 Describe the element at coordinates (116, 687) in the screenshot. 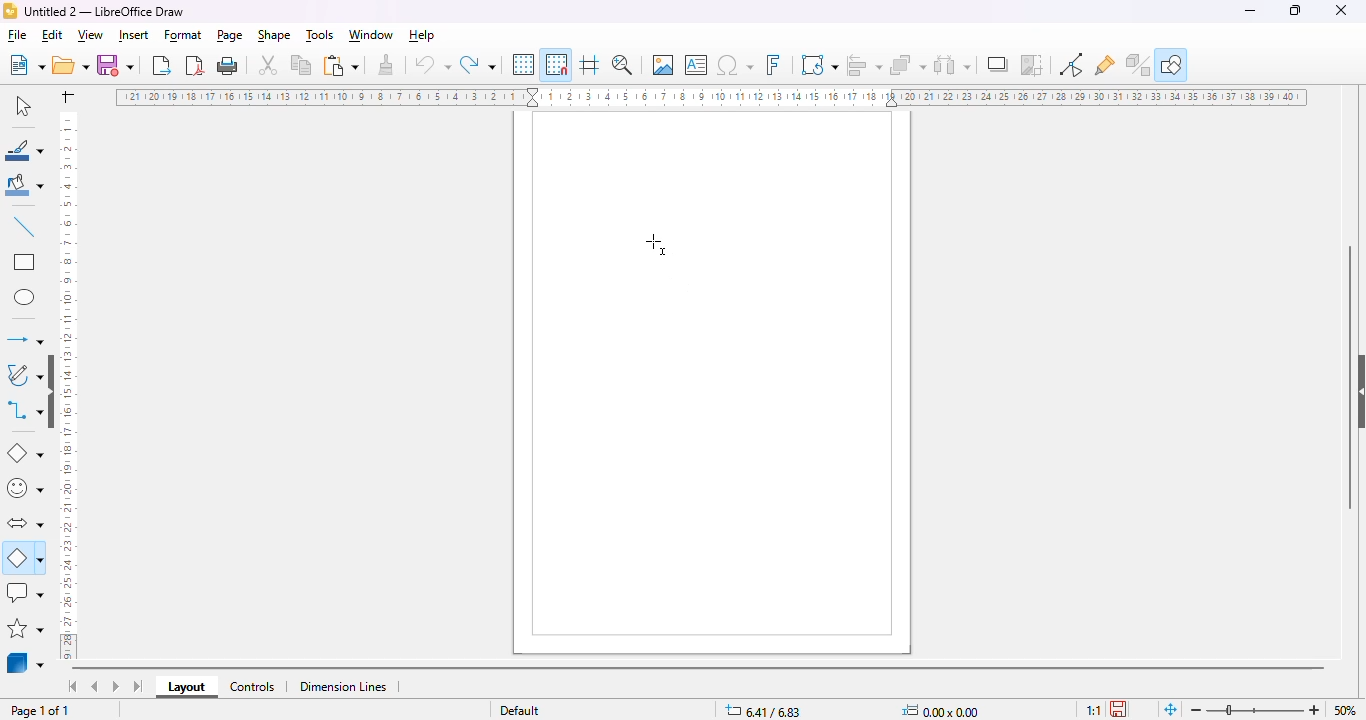

I see `scroll to next sheet` at that location.